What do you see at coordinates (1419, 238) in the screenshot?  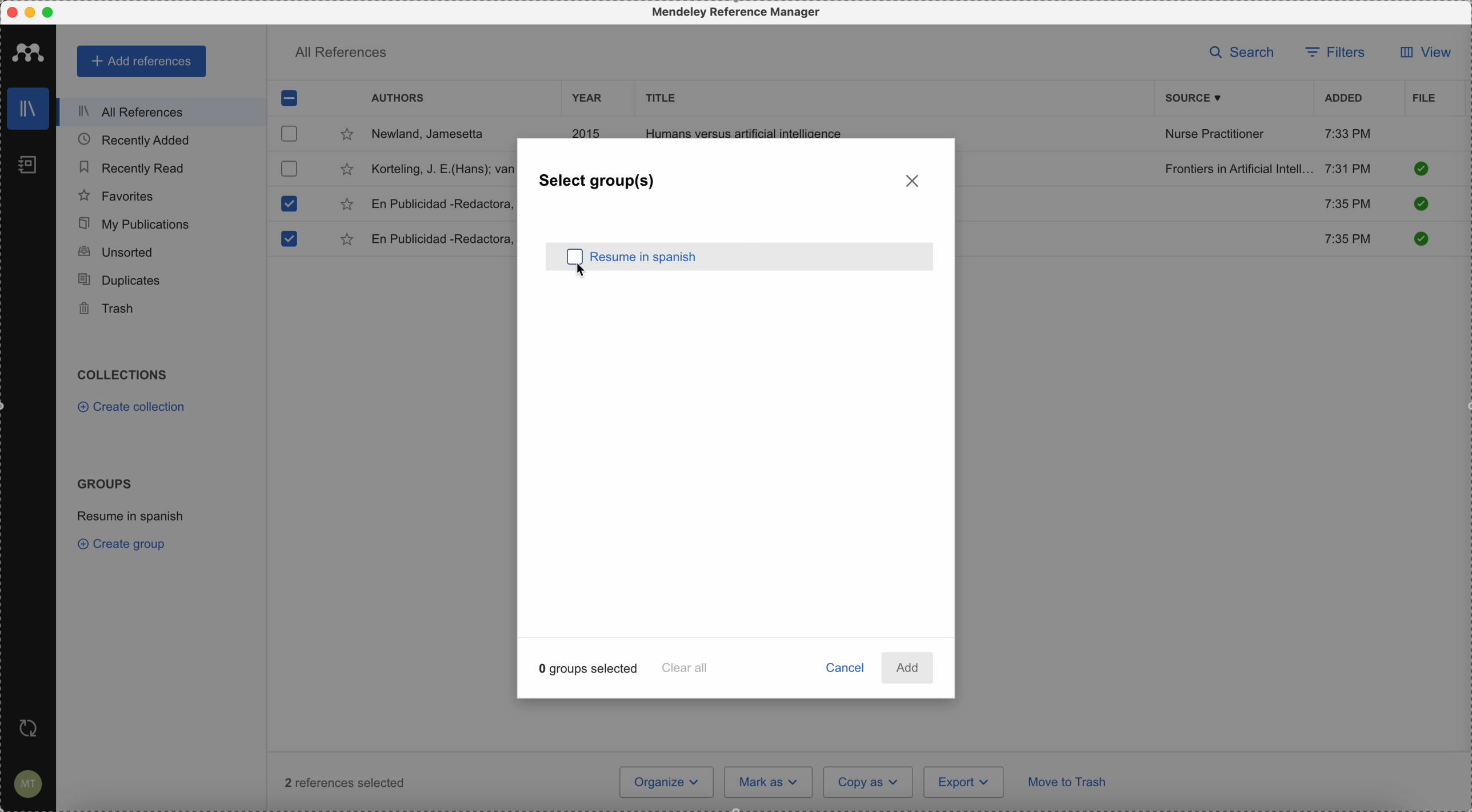 I see `check it` at bounding box center [1419, 238].